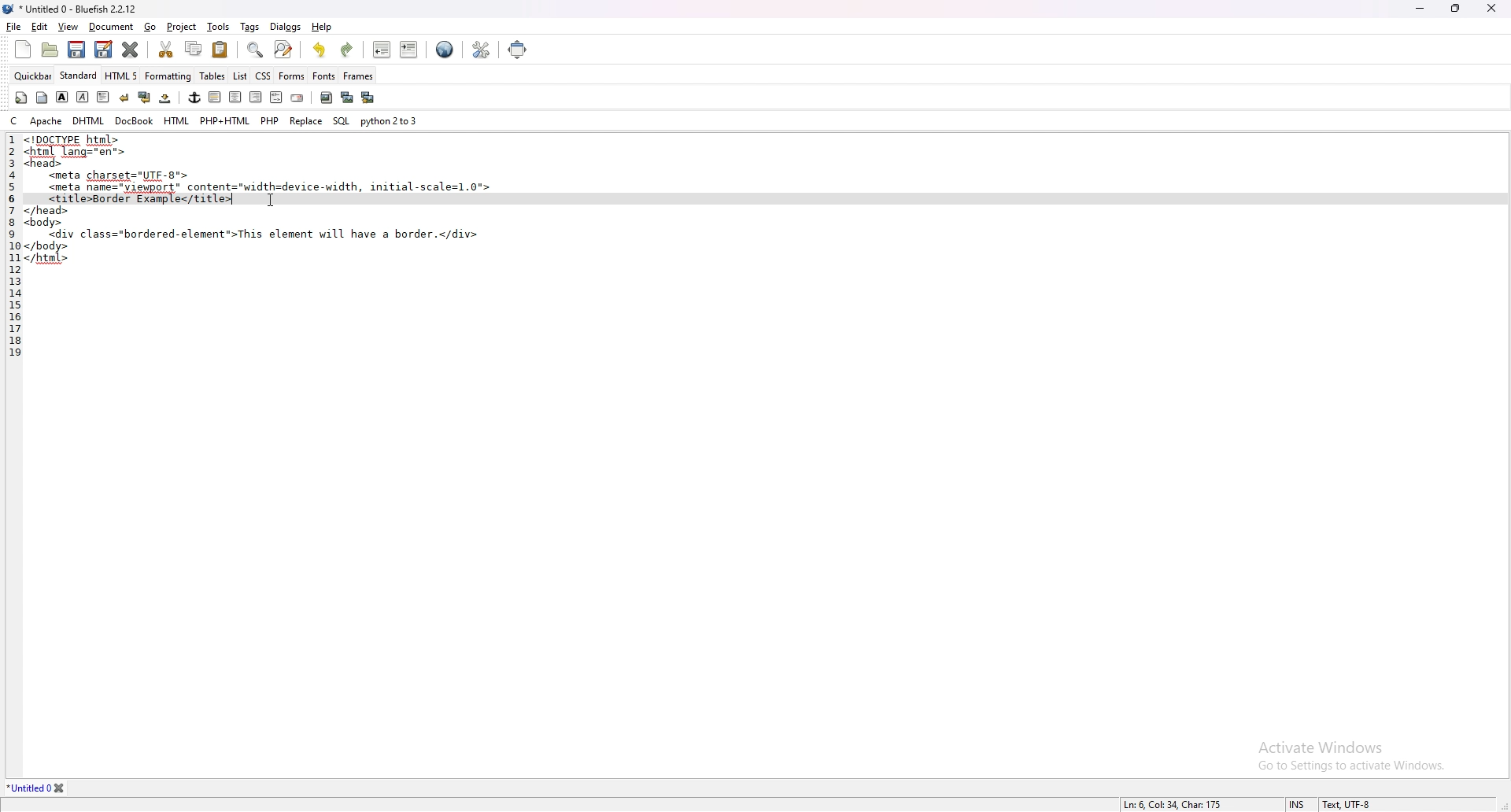 The width and height of the screenshot is (1511, 812). I want to click on fonts, so click(323, 76).